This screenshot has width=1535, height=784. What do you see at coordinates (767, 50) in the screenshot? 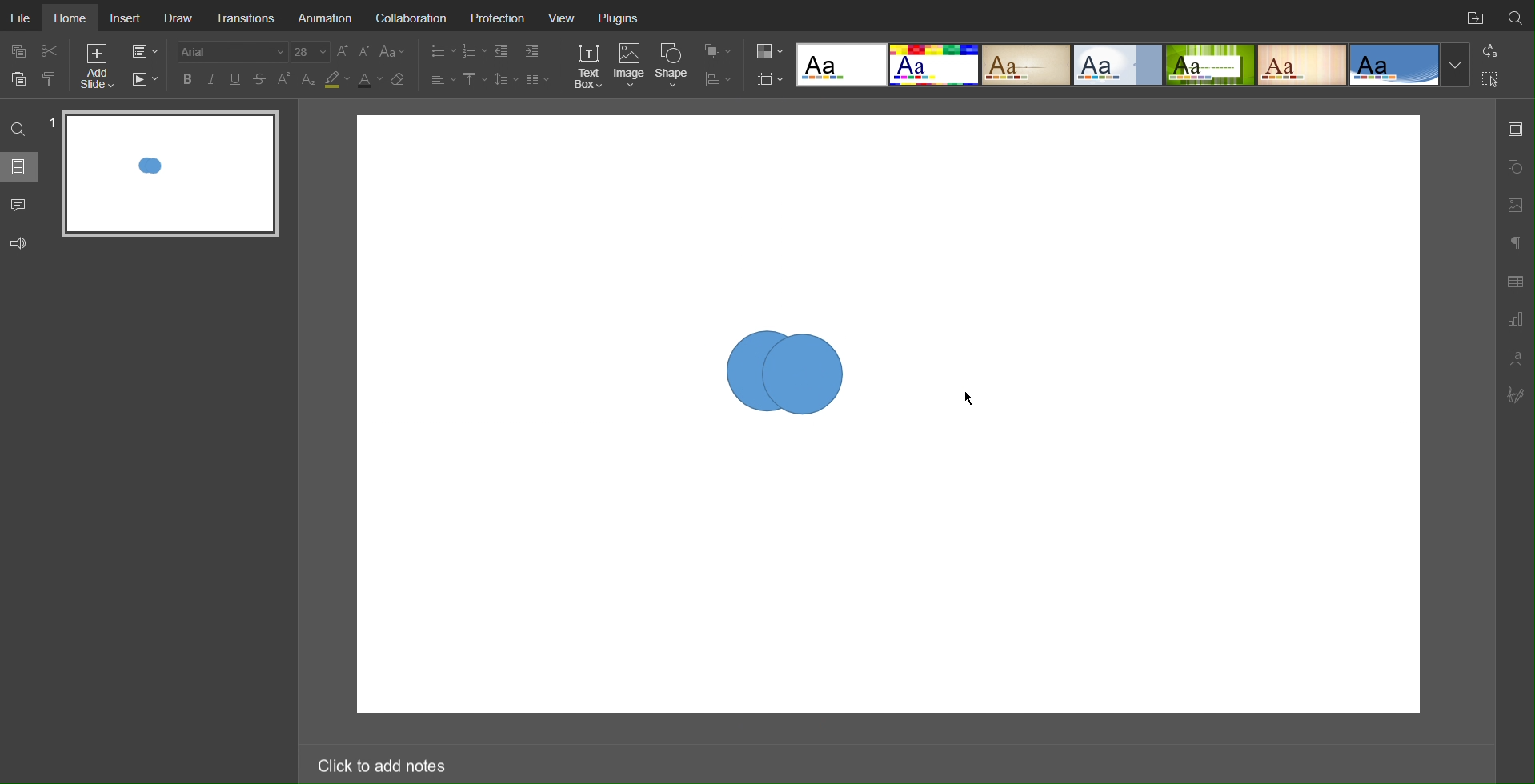
I see `Colors` at bounding box center [767, 50].